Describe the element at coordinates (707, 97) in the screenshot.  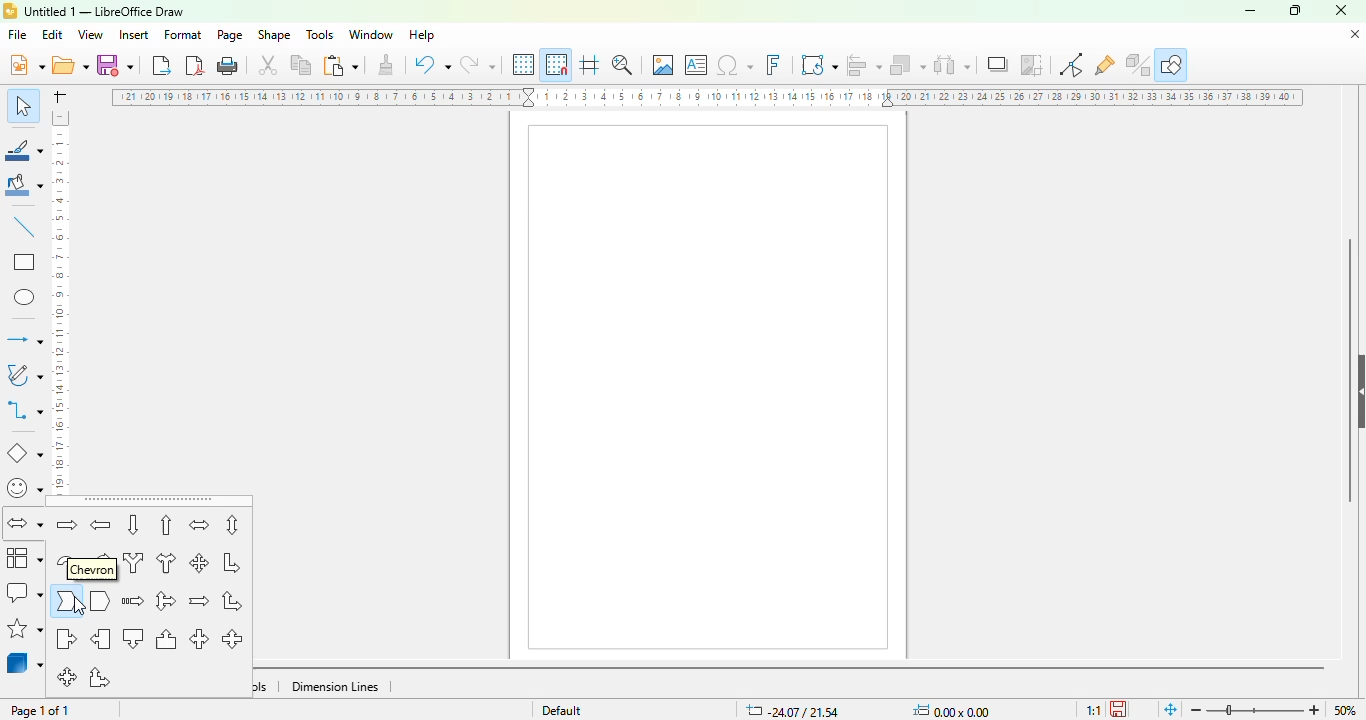
I see `ruler` at that location.